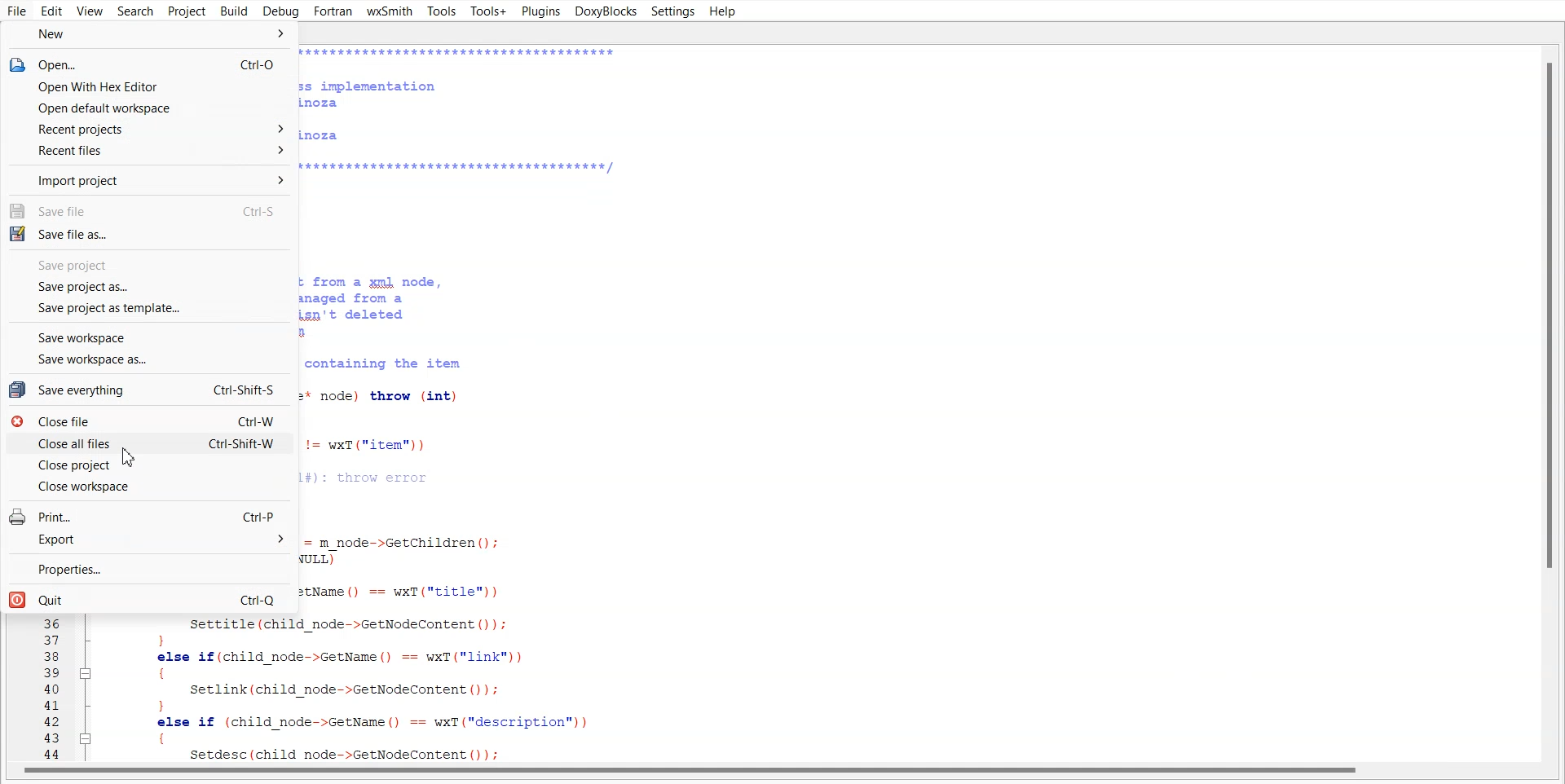 The image size is (1565, 784). I want to click on Search, so click(135, 11).